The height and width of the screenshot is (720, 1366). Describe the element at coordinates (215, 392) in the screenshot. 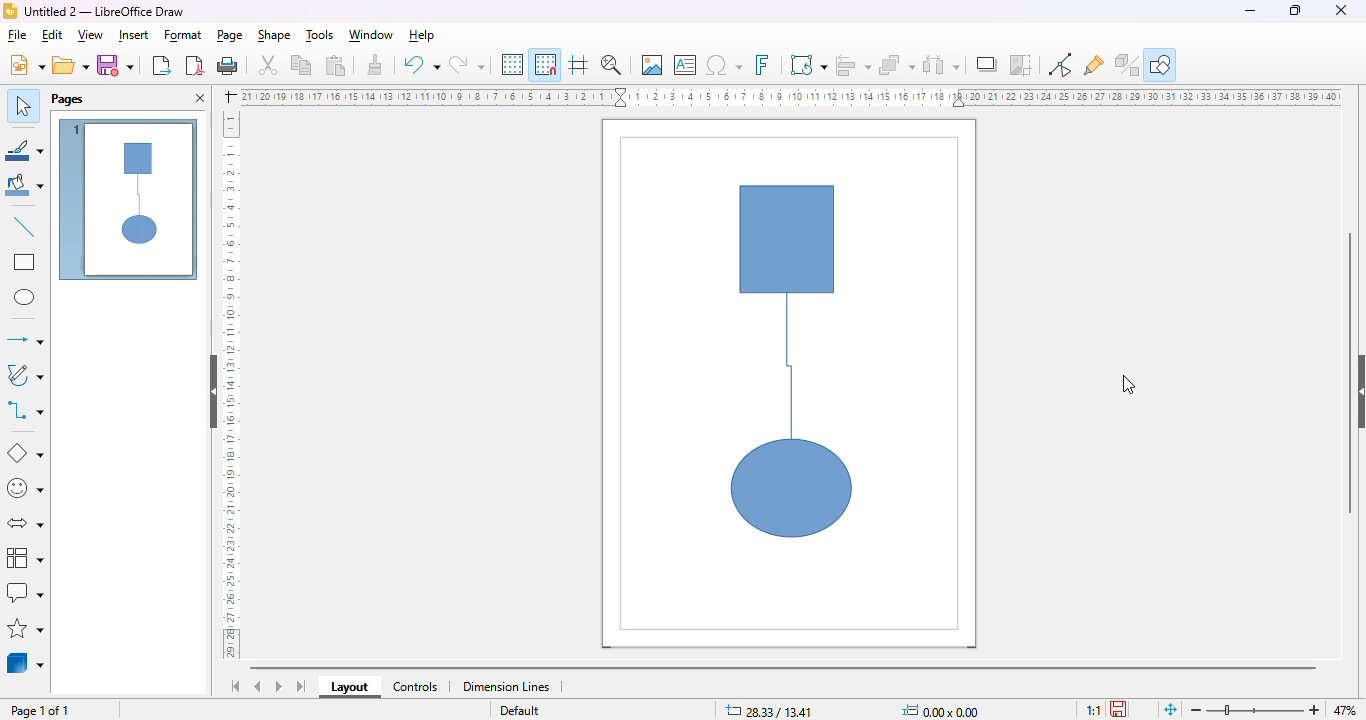

I see `hide` at that location.